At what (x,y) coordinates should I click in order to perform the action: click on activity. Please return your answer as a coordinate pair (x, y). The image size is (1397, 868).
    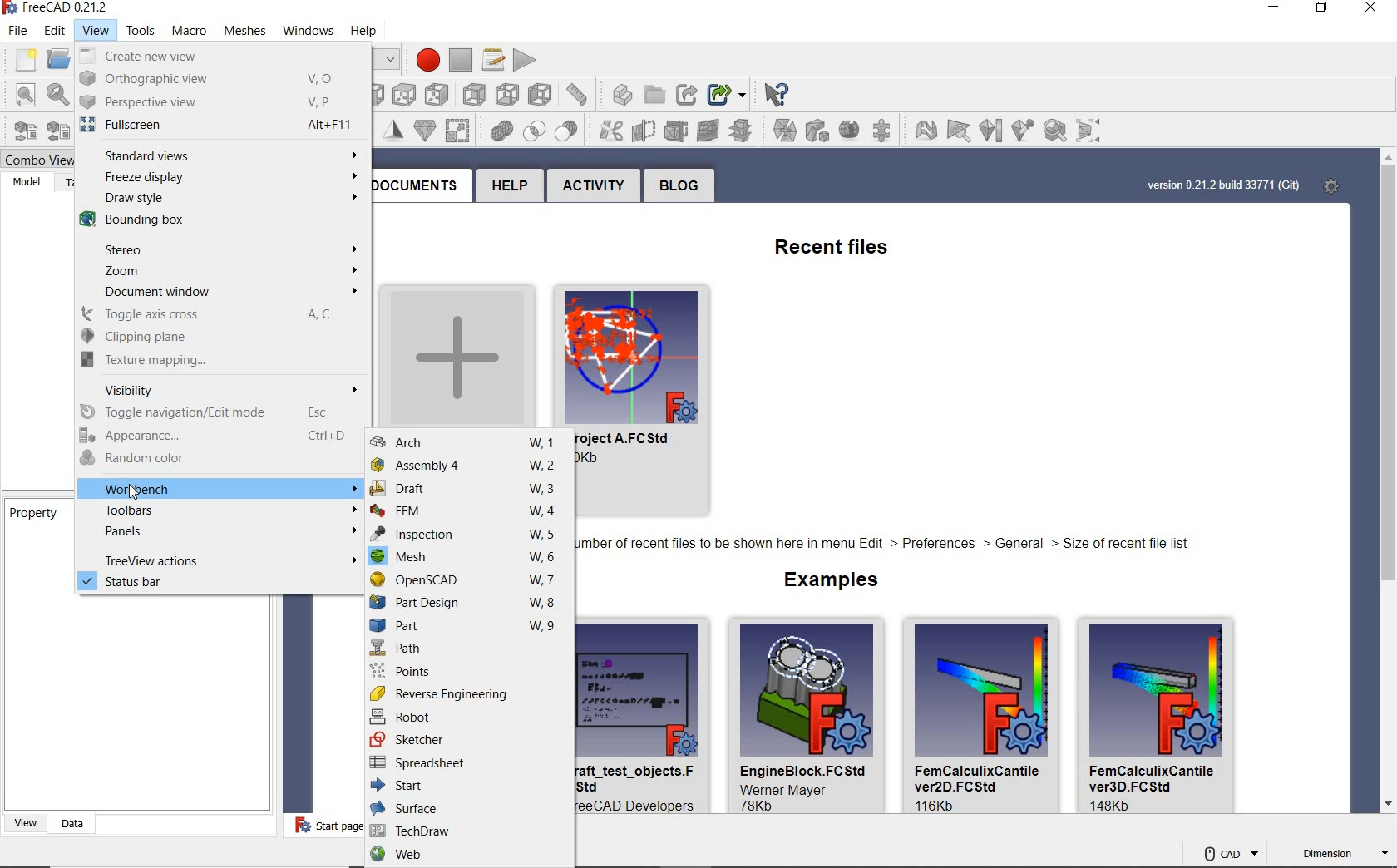
    Looking at the image, I should click on (595, 186).